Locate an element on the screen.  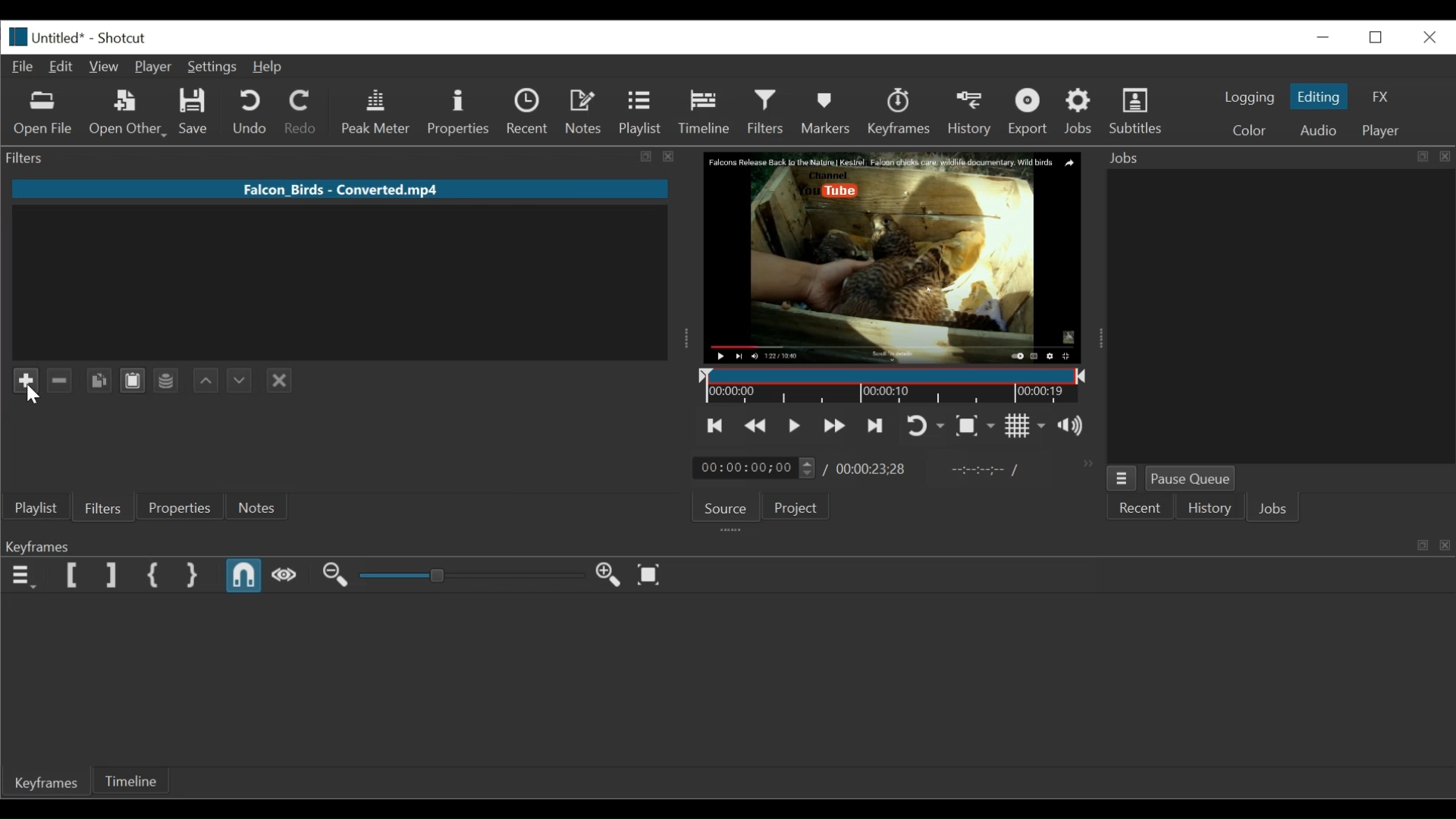
Current duration is located at coordinates (757, 468).